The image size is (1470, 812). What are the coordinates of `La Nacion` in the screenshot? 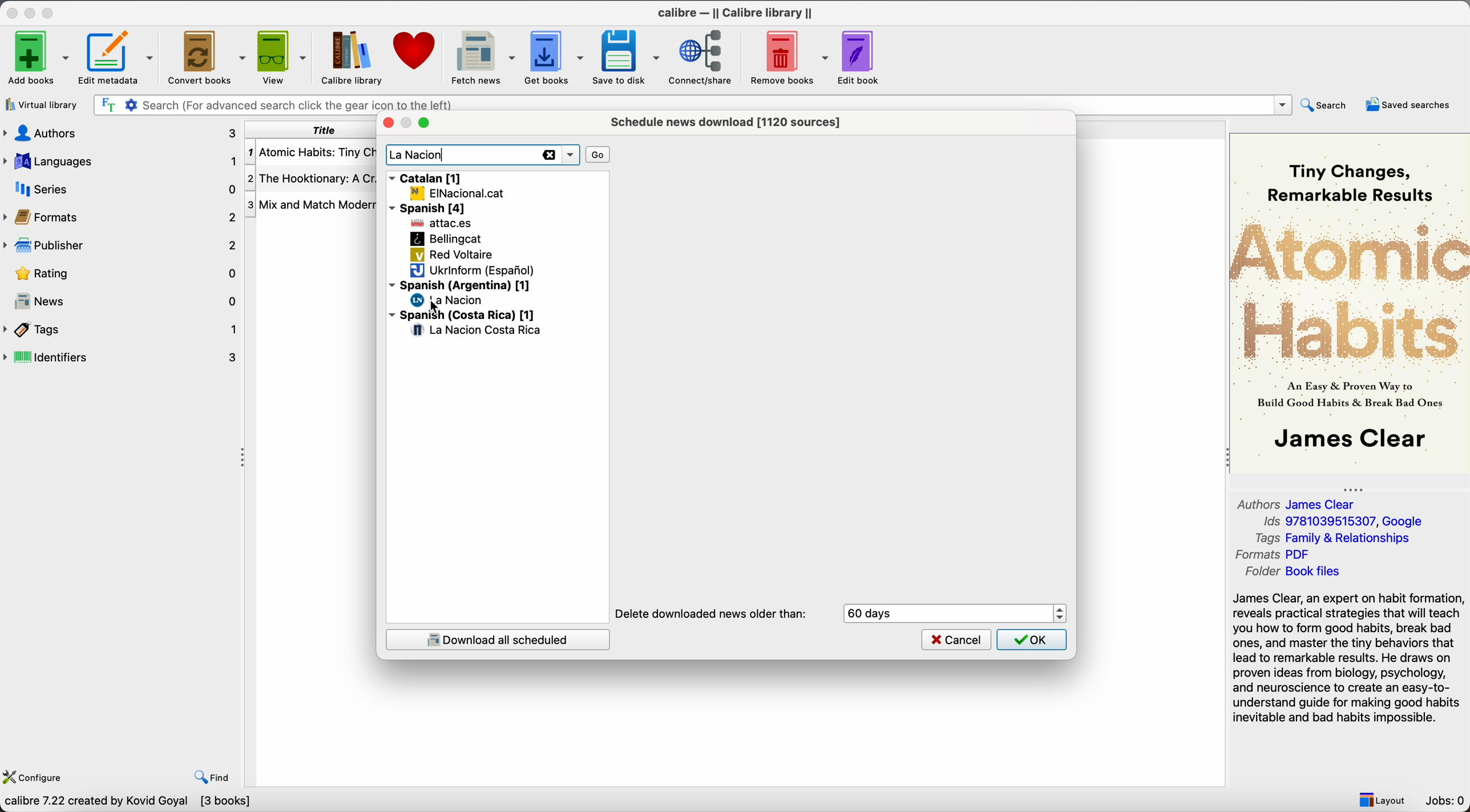 It's located at (418, 156).